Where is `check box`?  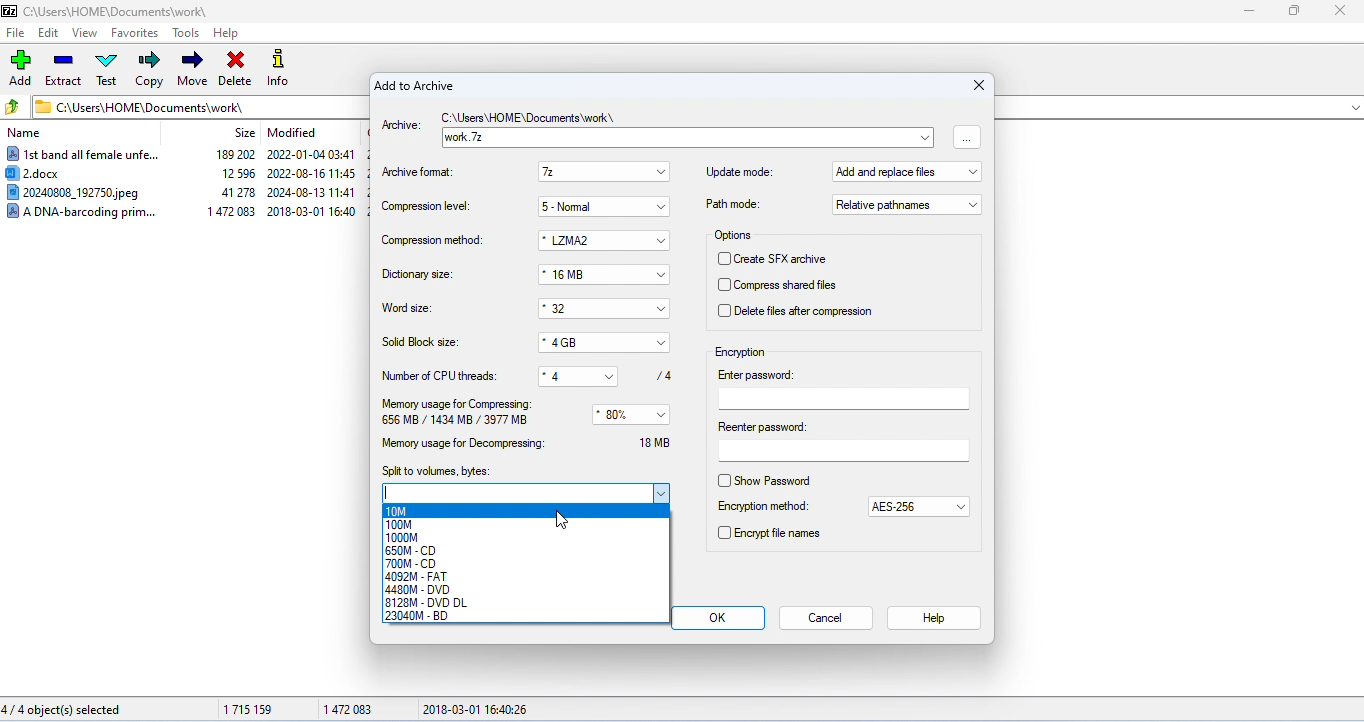
check box is located at coordinates (723, 481).